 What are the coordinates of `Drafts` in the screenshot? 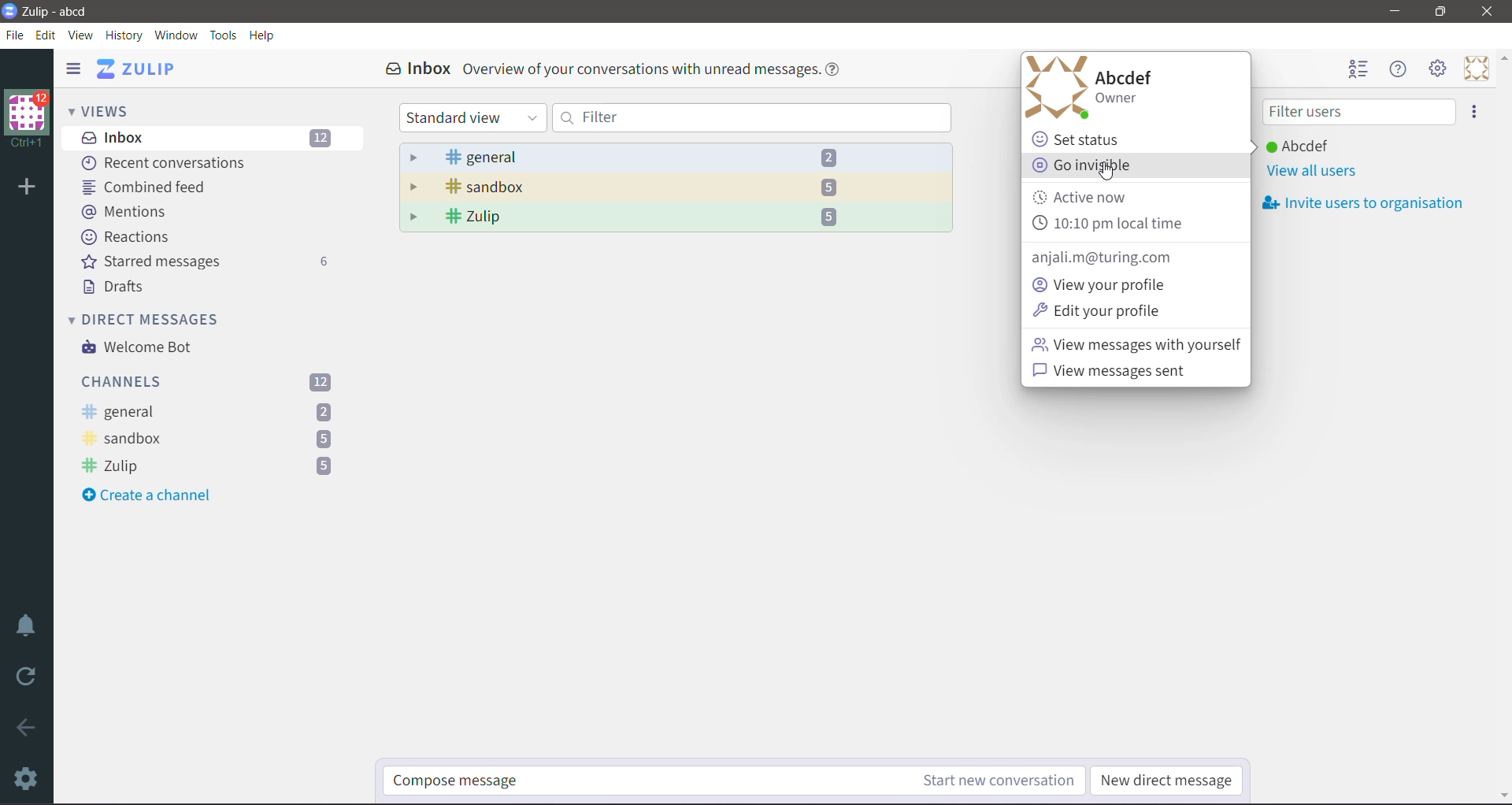 It's located at (121, 289).